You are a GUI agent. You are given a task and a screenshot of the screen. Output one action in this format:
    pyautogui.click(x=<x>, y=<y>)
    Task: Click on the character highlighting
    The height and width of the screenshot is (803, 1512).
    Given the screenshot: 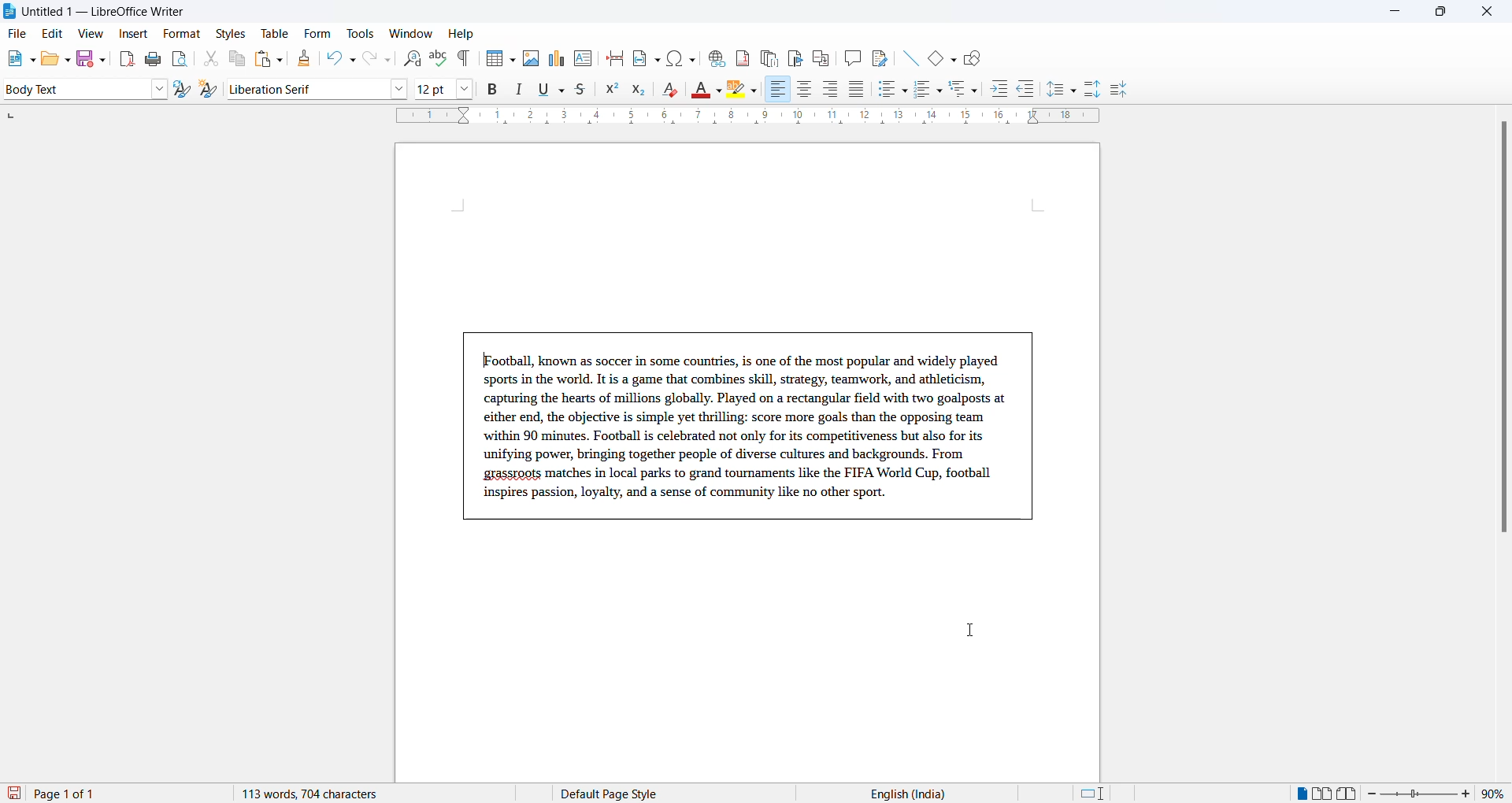 What is the action you would take?
    pyautogui.click(x=746, y=91)
    